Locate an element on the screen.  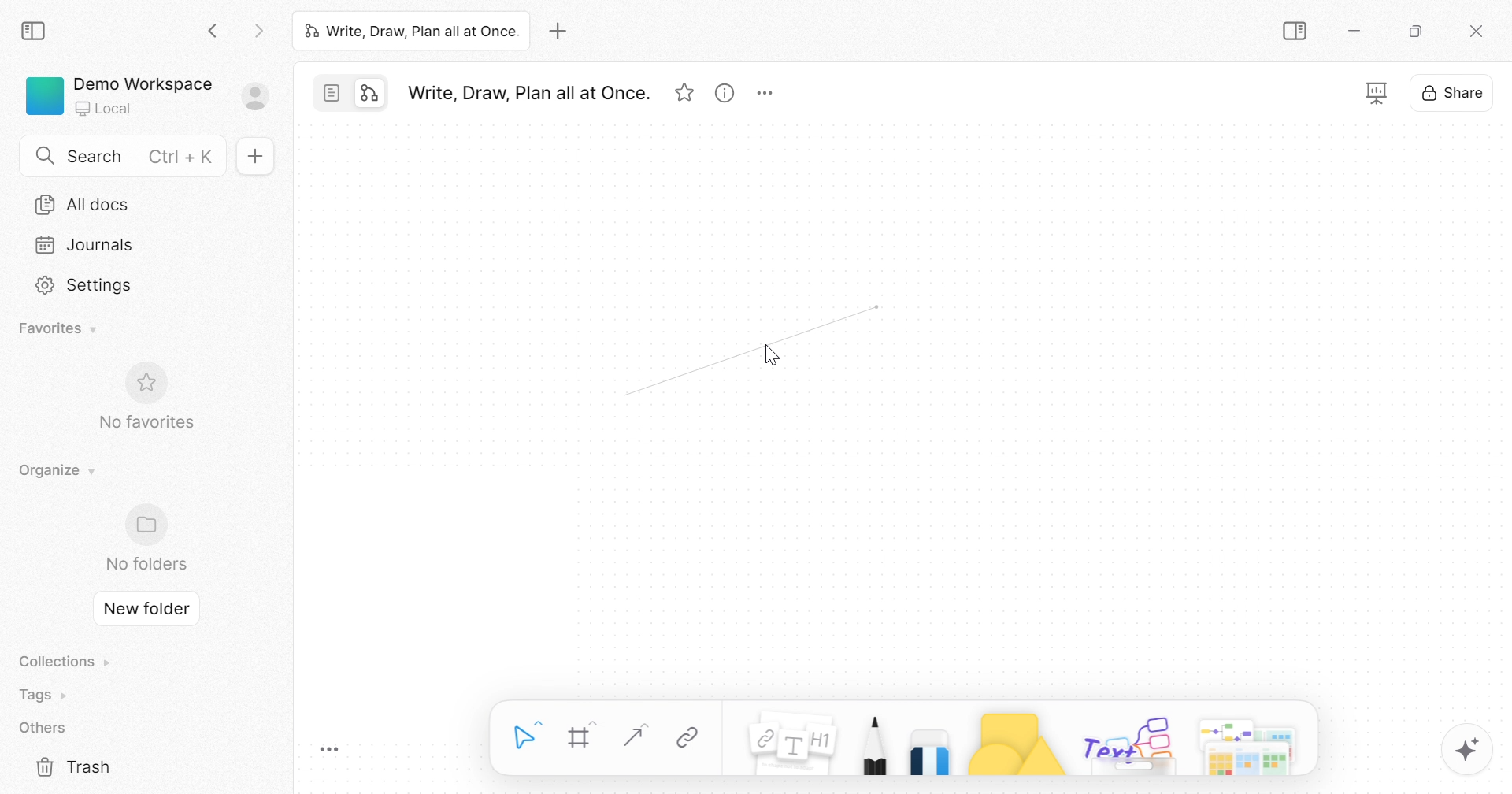
Ctrl + K is located at coordinates (184, 157).